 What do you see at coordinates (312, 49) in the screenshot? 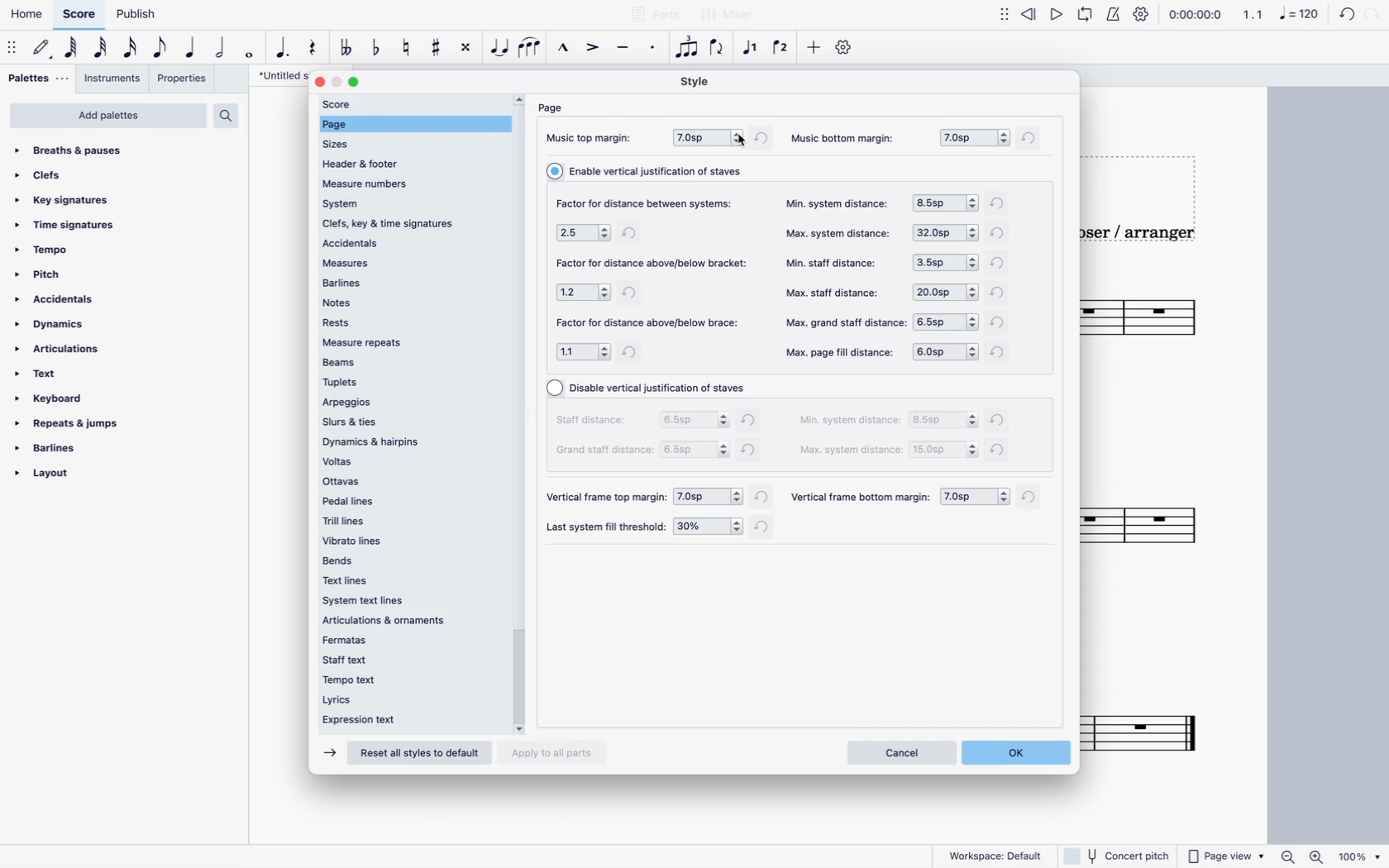
I see `rest` at bounding box center [312, 49].